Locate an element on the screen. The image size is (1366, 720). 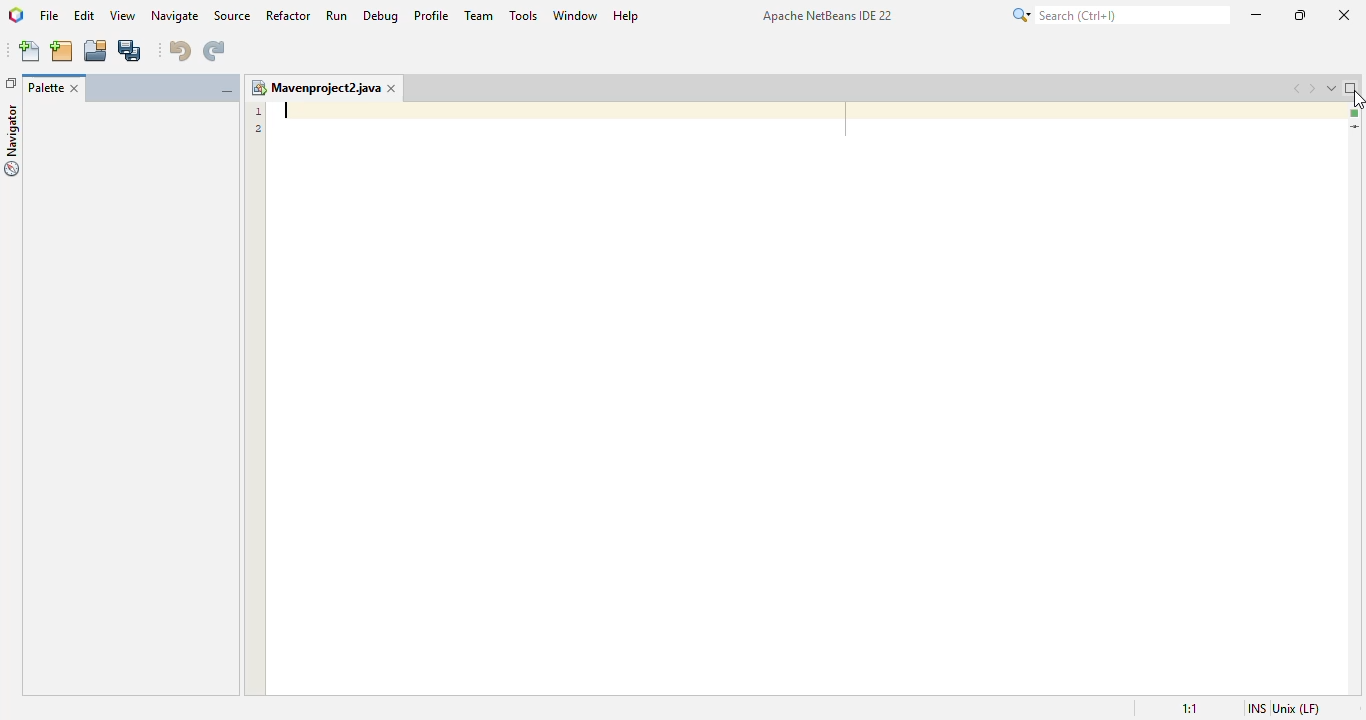
tools is located at coordinates (524, 15).